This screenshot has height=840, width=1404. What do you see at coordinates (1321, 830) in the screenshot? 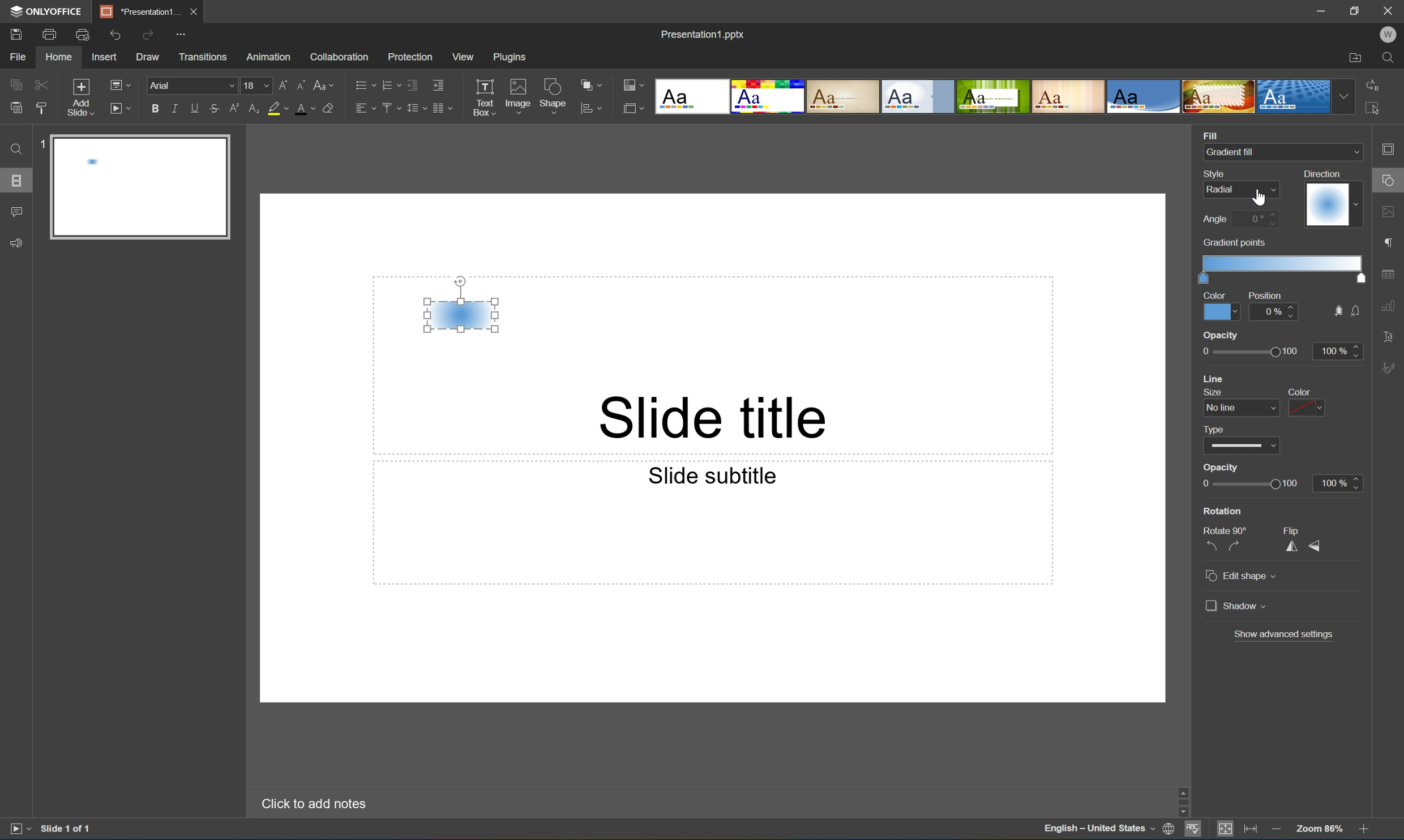
I see `Zoom 103%` at bounding box center [1321, 830].